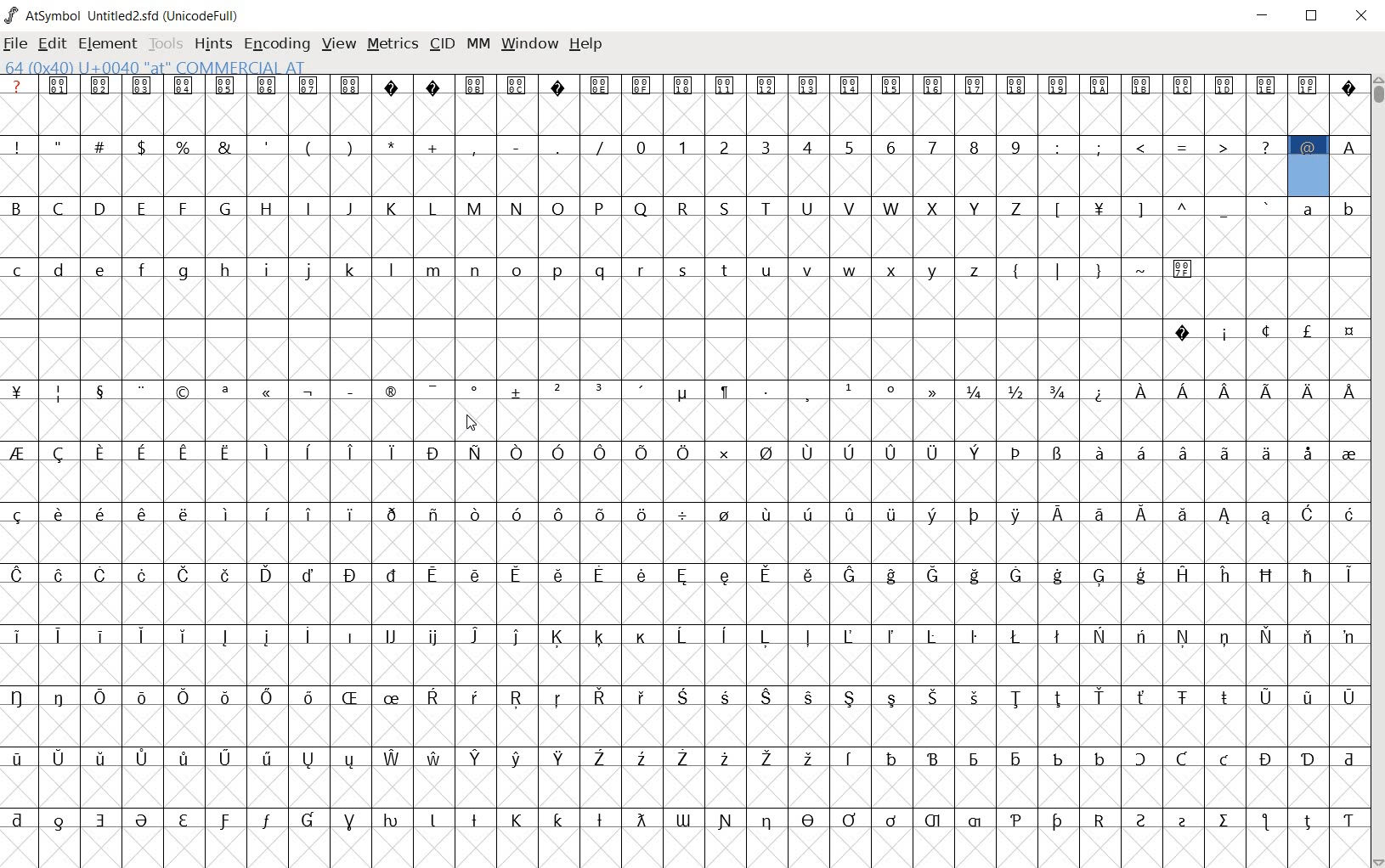  I want to click on capital letters B - Z, so click(521, 207).